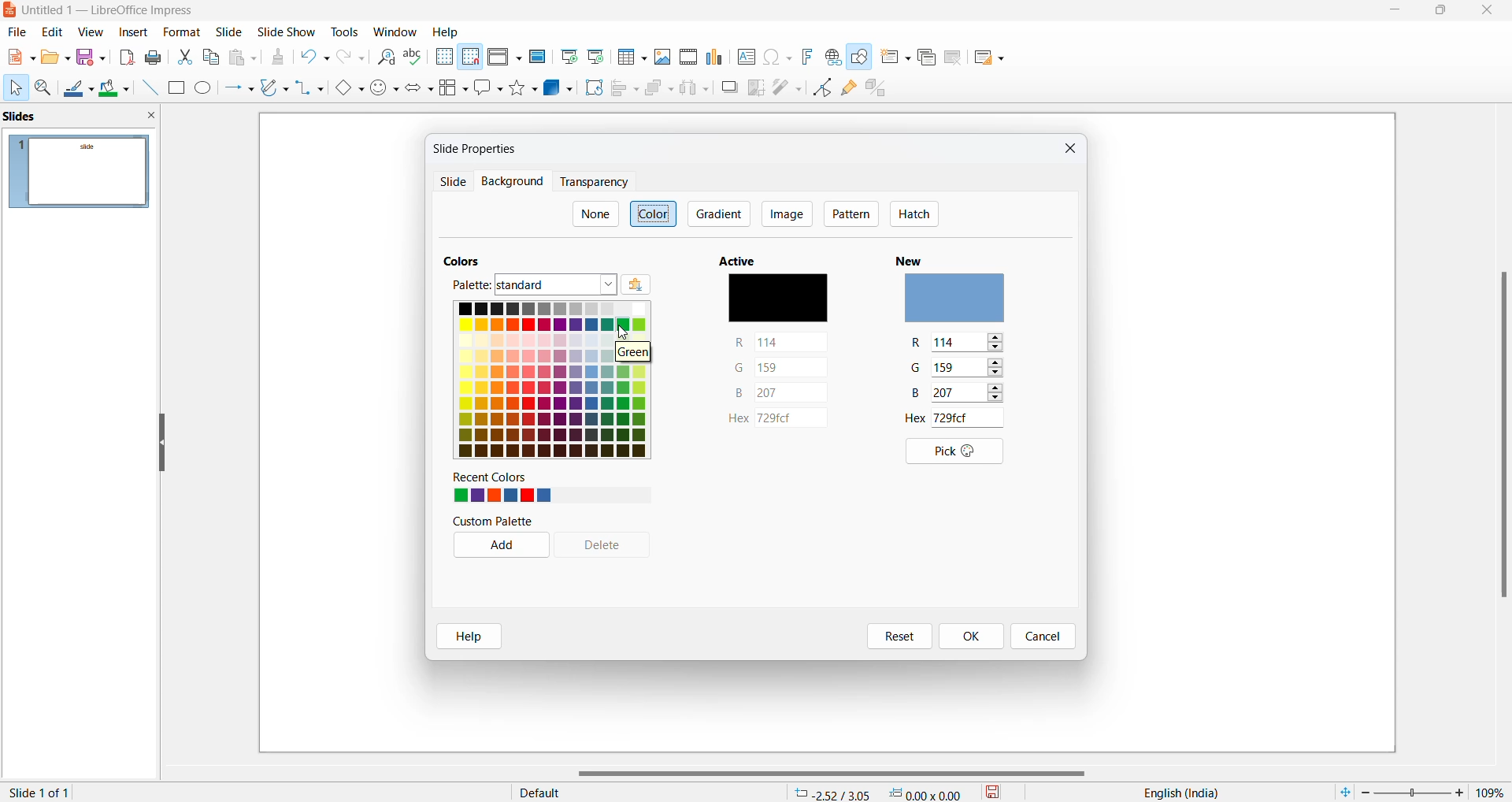  What do you see at coordinates (465, 258) in the screenshot?
I see `colors heading ` at bounding box center [465, 258].